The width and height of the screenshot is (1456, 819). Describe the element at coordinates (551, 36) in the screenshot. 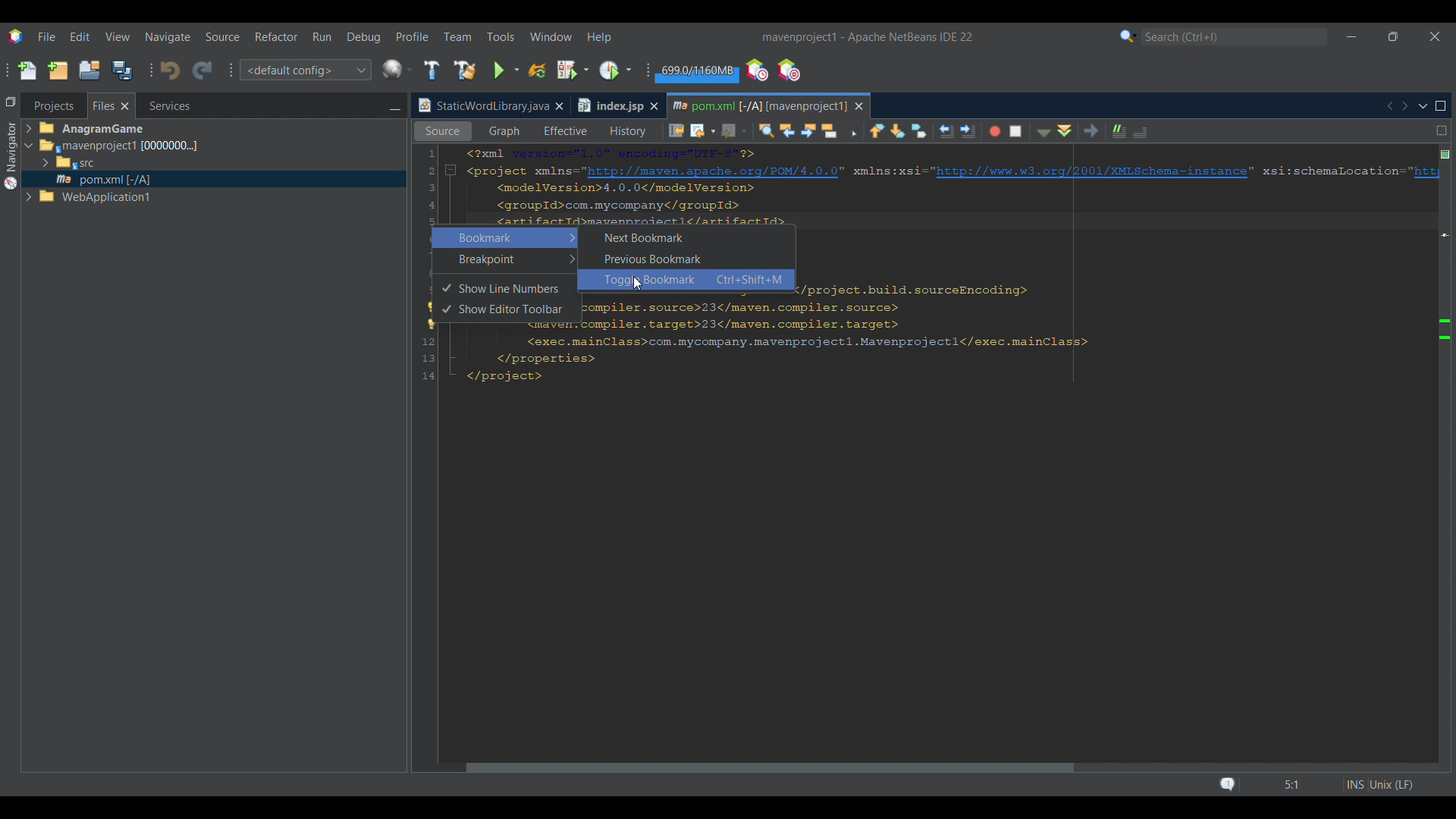

I see `Window menu` at that location.